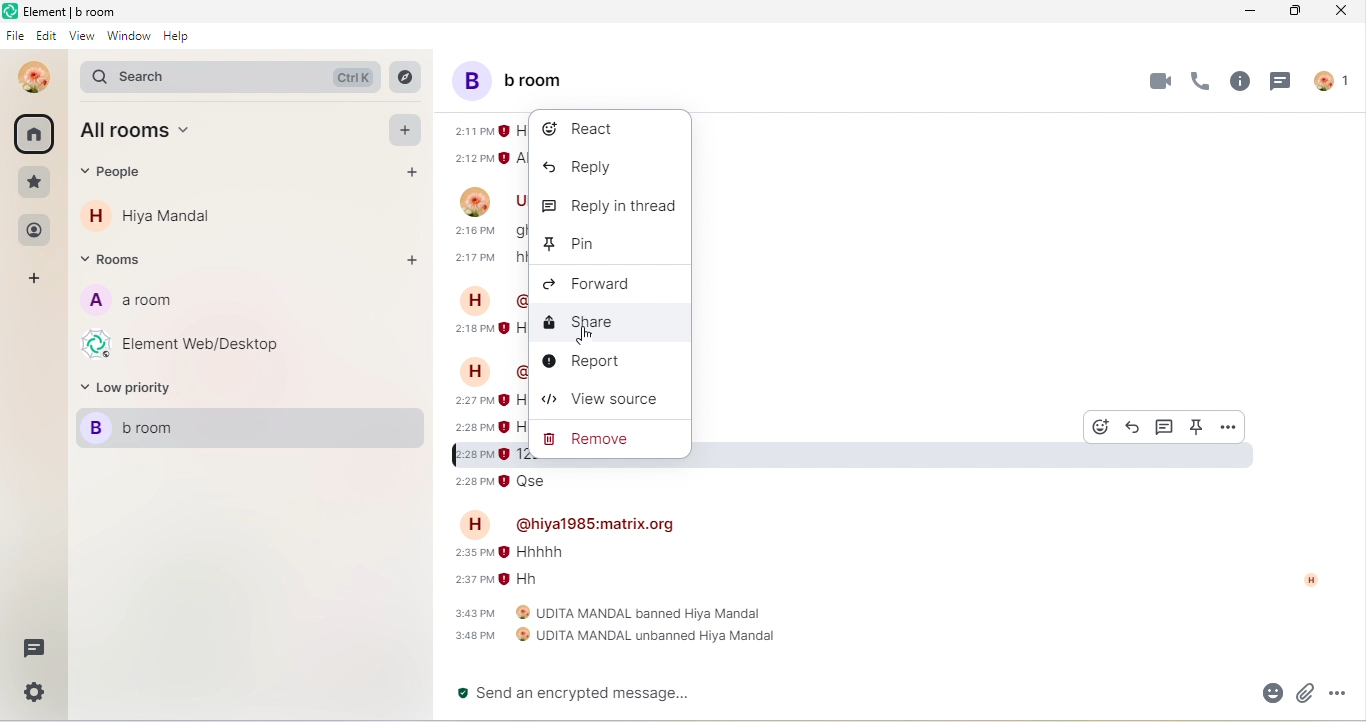 This screenshot has height=722, width=1366. Describe the element at coordinates (34, 231) in the screenshot. I see `people` at that location.